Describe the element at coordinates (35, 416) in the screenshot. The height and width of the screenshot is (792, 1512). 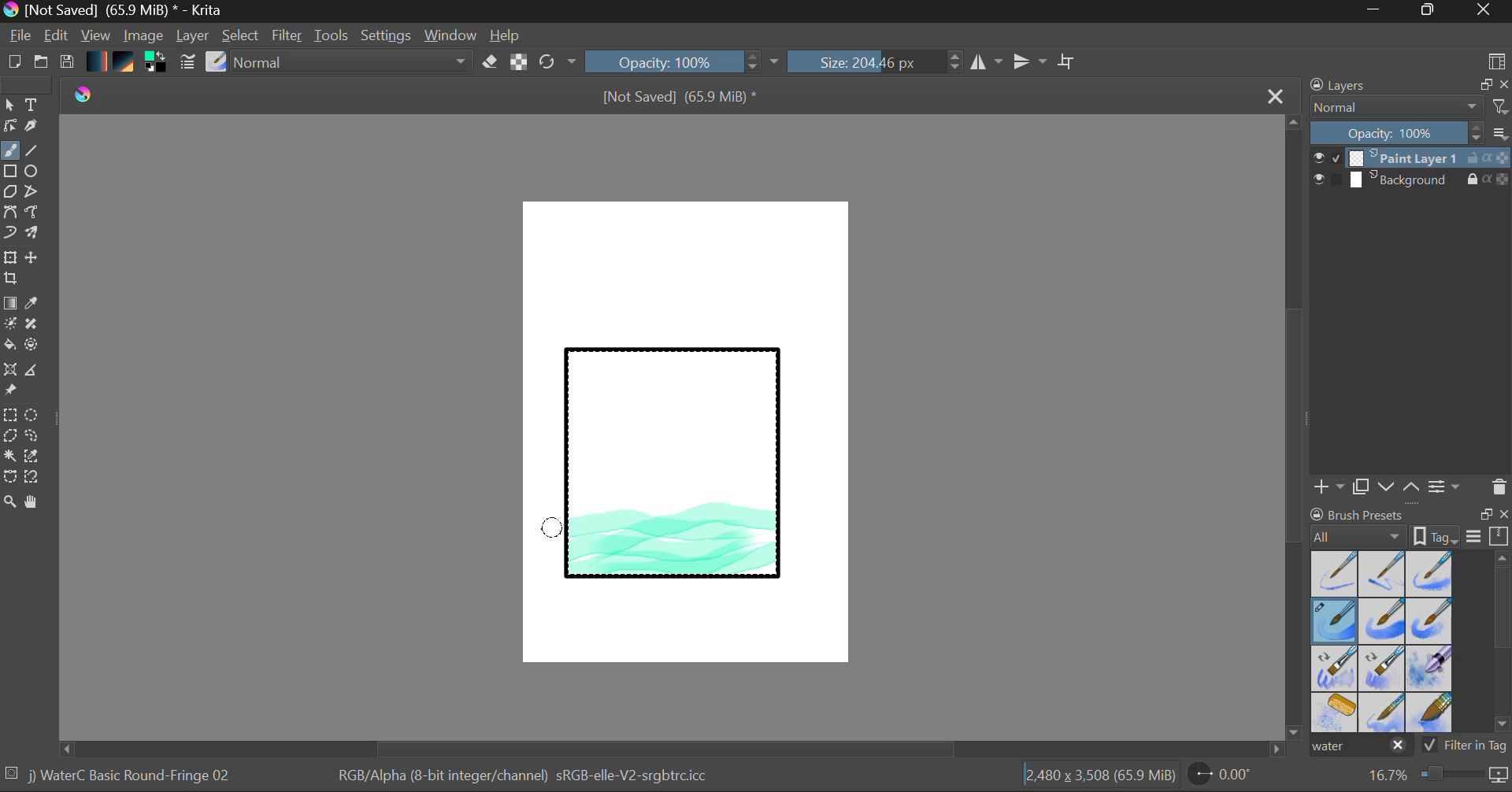
I see `Elipses Selection tool` at that location.